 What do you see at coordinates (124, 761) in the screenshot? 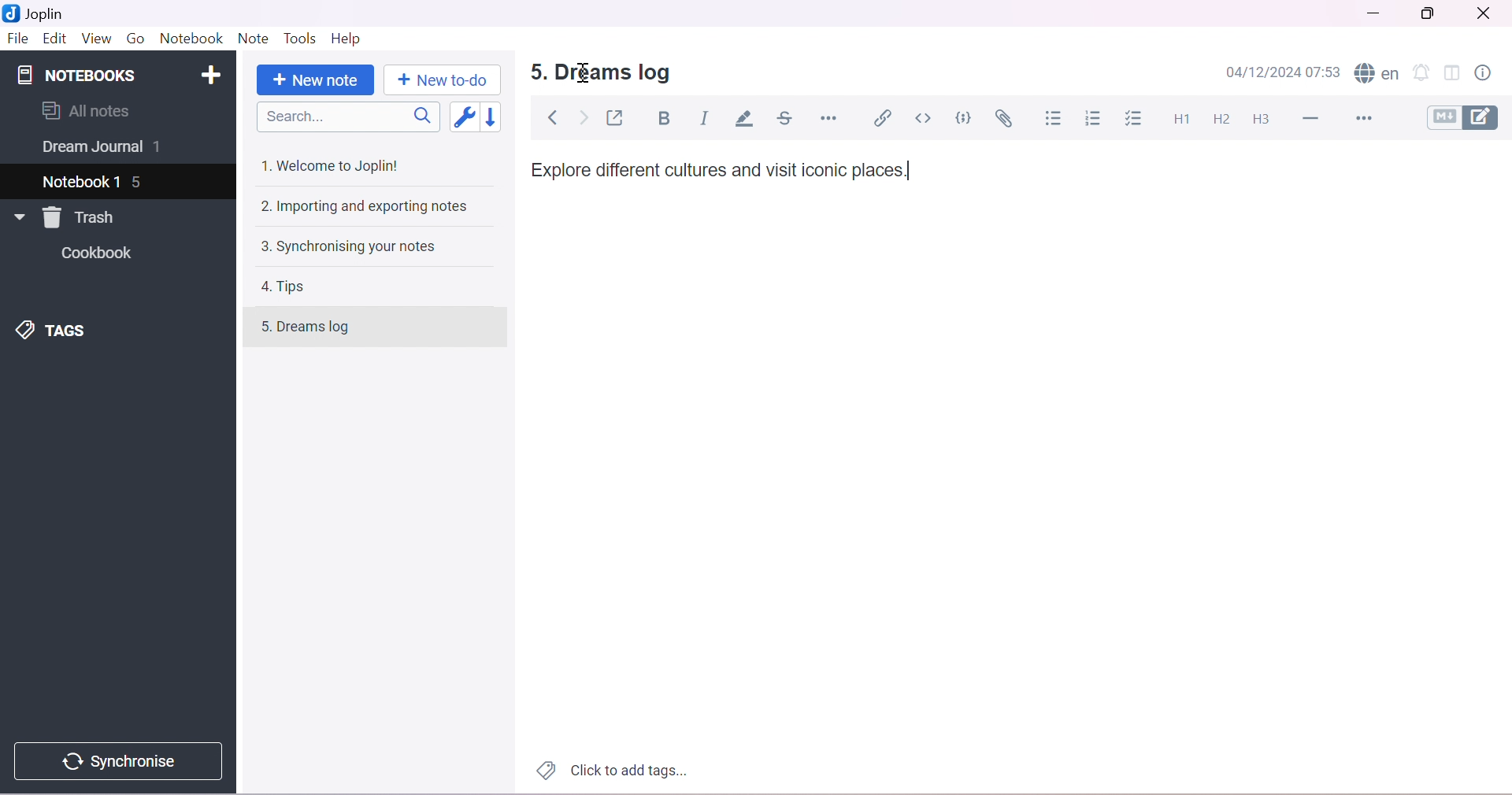
I see `Synchronise` at bounding box center [124, 761].